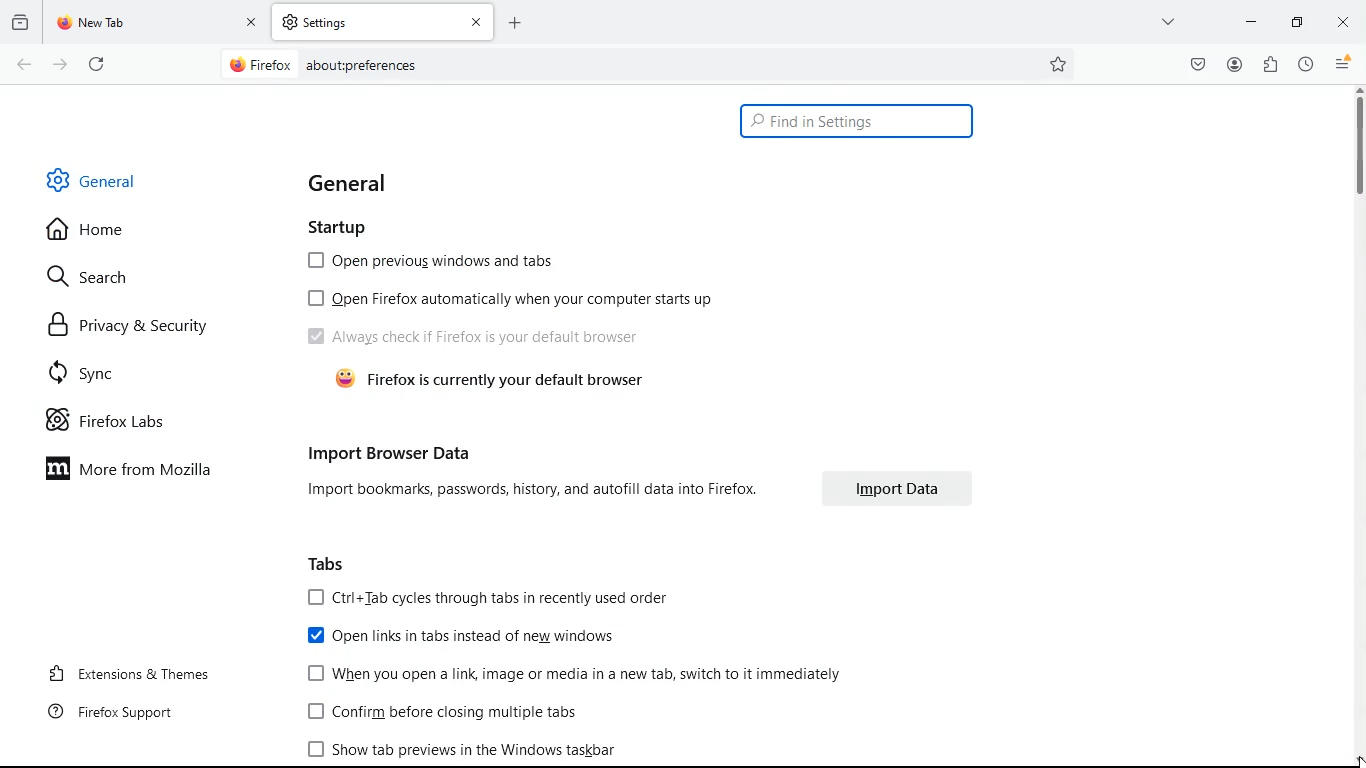 The width and height of the screenshot is (1366, 768). What do you see at coordinates (1170, 21) in the screenshot?
I see `more` at bounding box center [1170, 21].